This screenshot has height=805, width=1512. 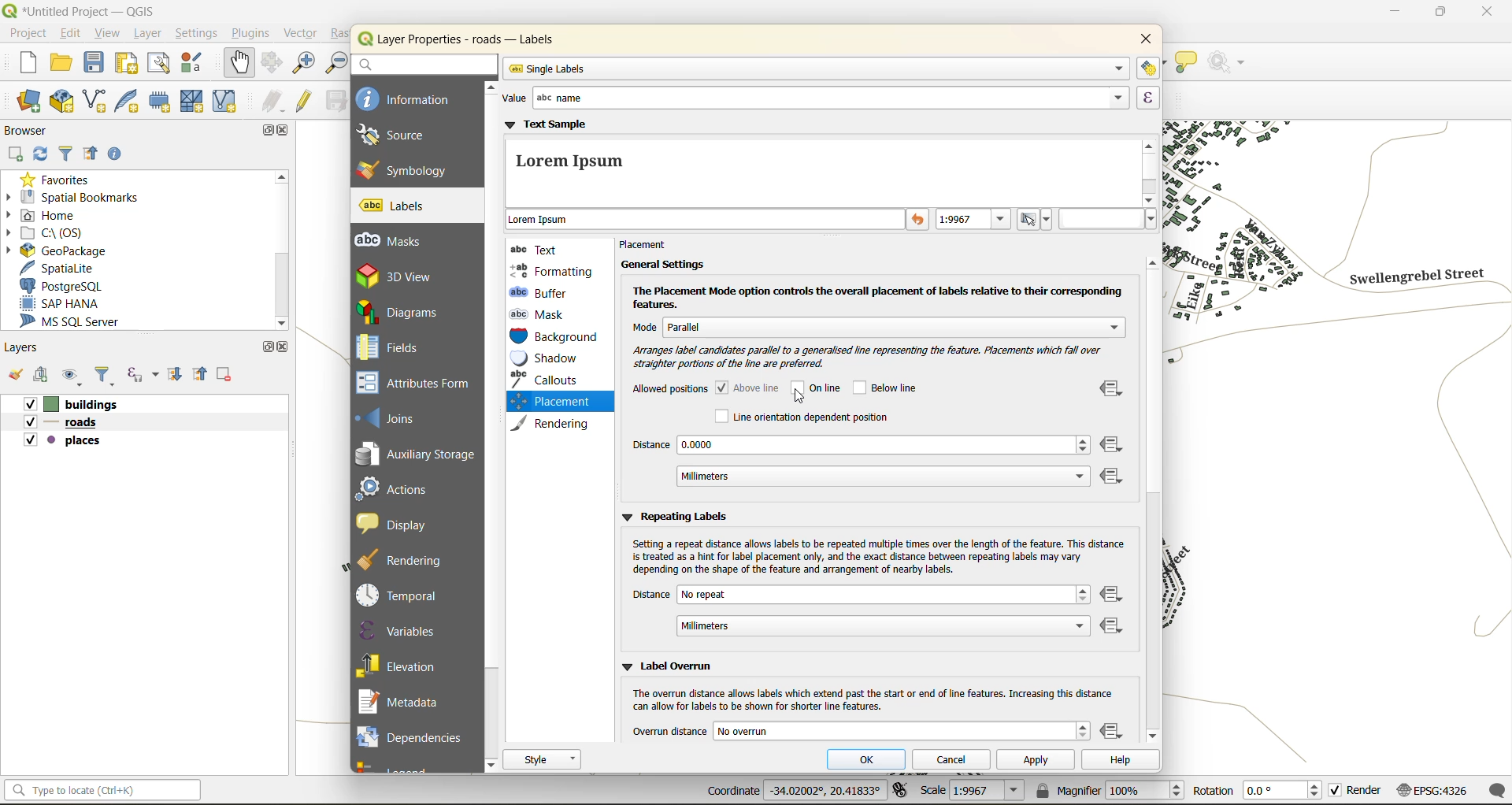 I want to click on distance, so click(x=862, y=462).